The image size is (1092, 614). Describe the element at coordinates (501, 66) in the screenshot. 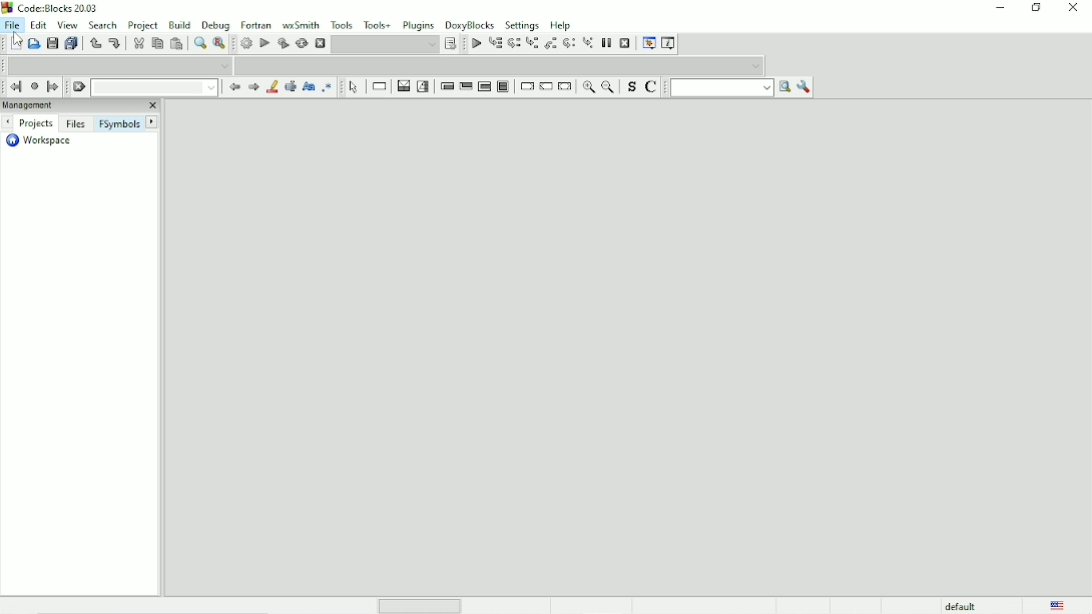

I see `Drop down` at that location.